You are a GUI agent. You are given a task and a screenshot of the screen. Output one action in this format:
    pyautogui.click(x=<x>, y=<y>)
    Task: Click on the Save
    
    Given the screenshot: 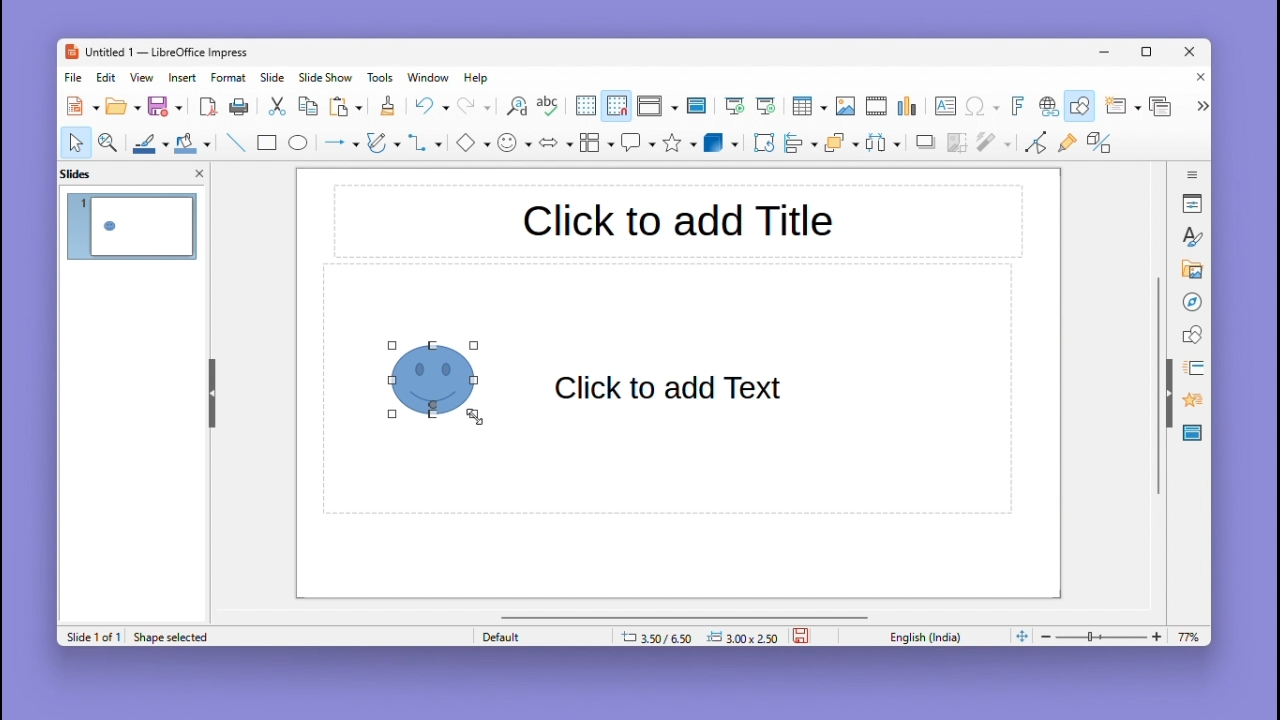 What is the action you would take?
    pyautogui.click(x=166, y=106)
    